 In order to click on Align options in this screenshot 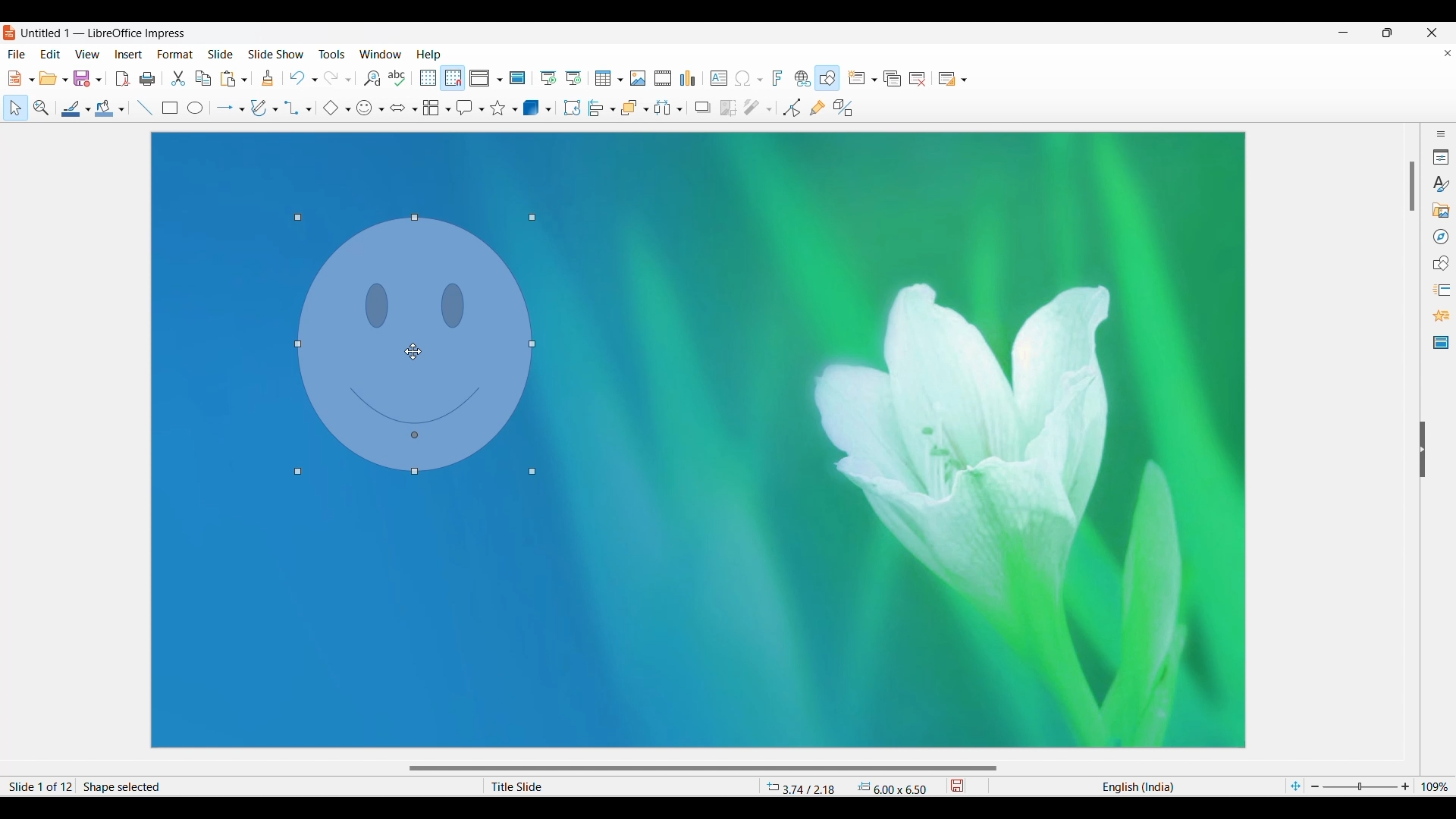, I will do `click(613, 110)`.